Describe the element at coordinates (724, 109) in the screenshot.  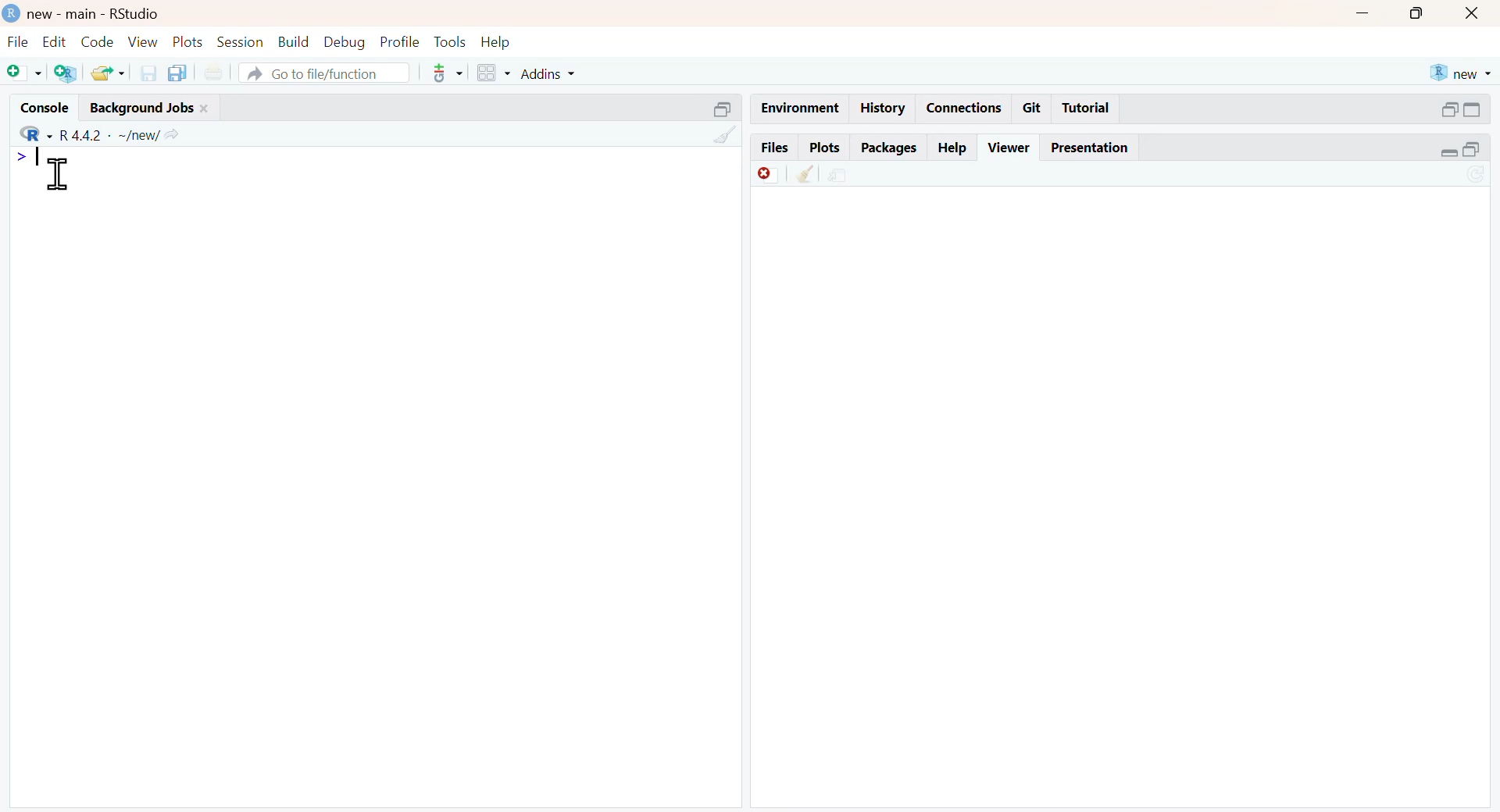
I see `open in separate window` at that location.